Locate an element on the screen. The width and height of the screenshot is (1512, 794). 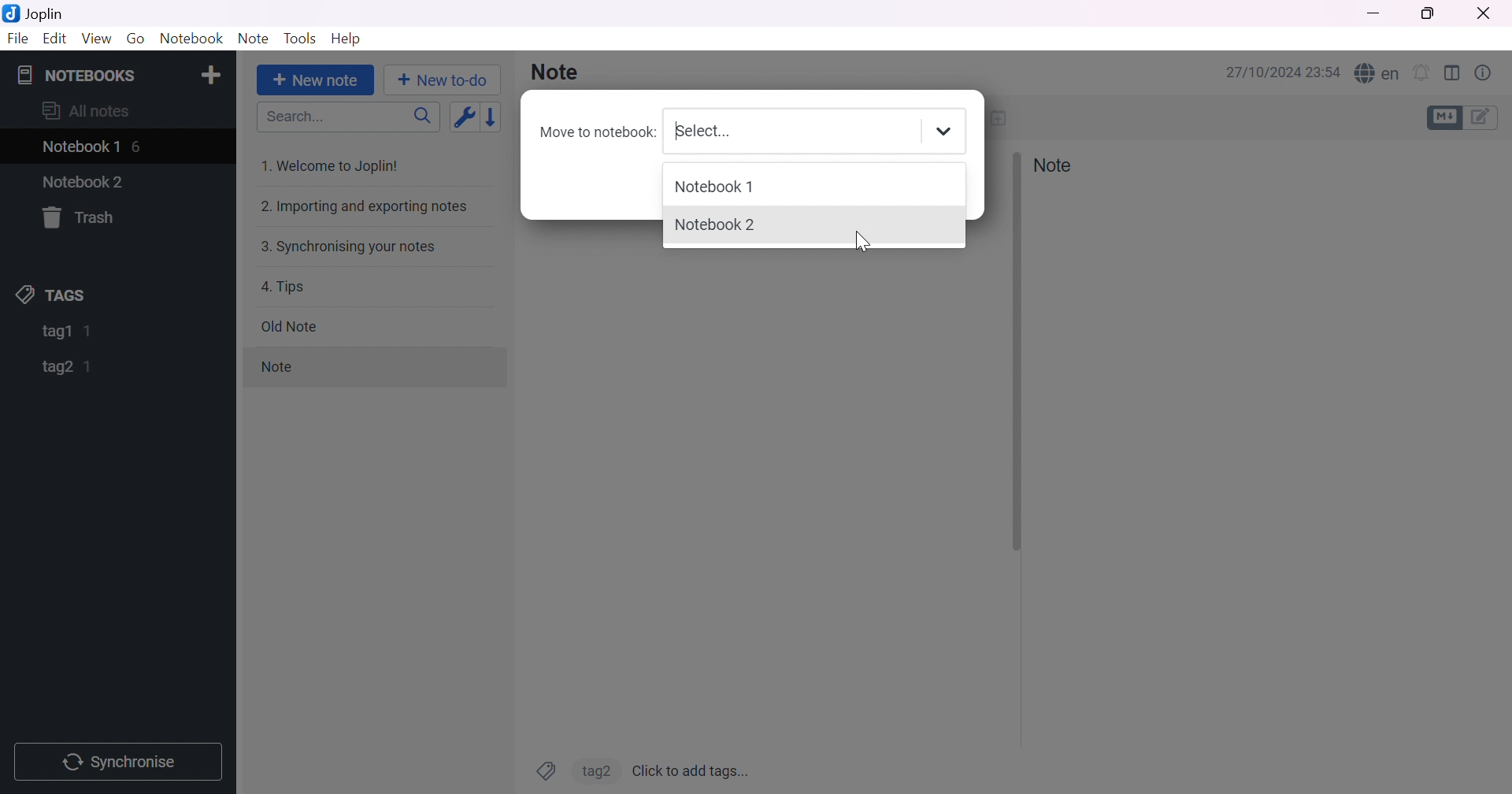
4. Tips is located at coordinates (283, 287).